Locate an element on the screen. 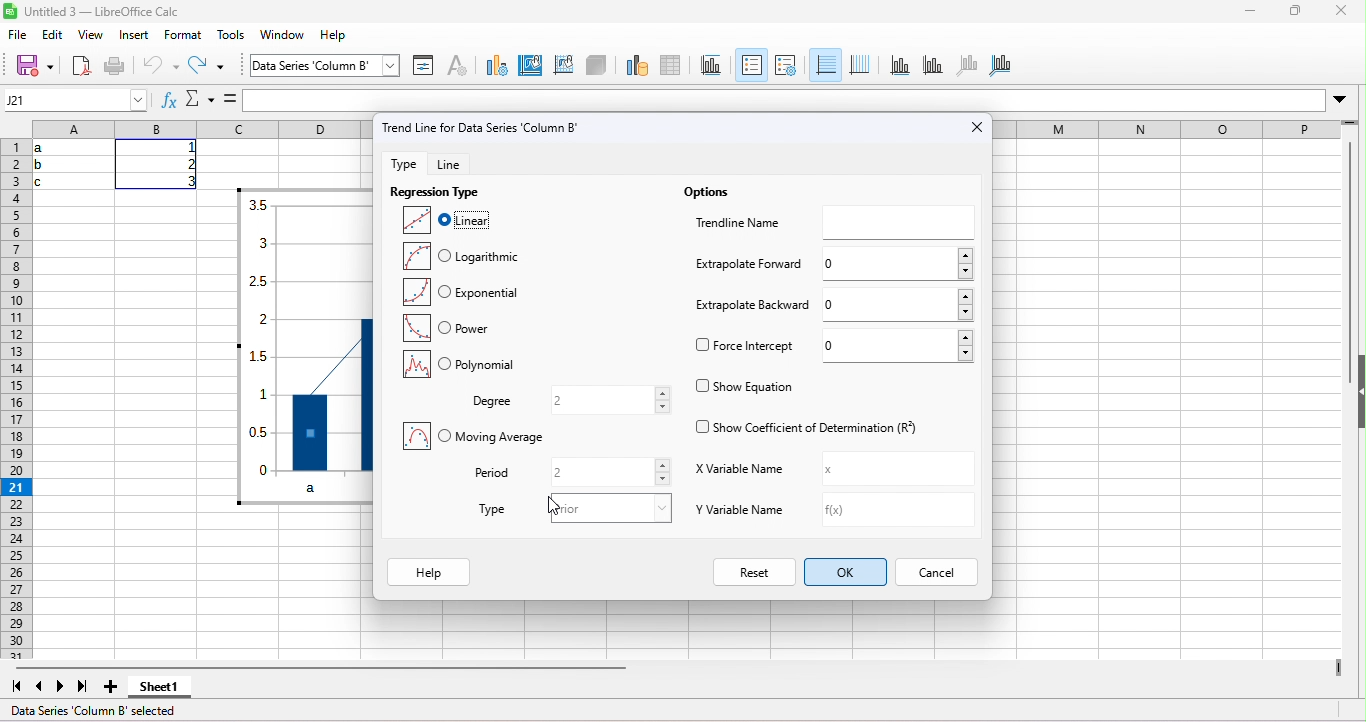  scroll to first sheet is located at coordinates (12, 685).